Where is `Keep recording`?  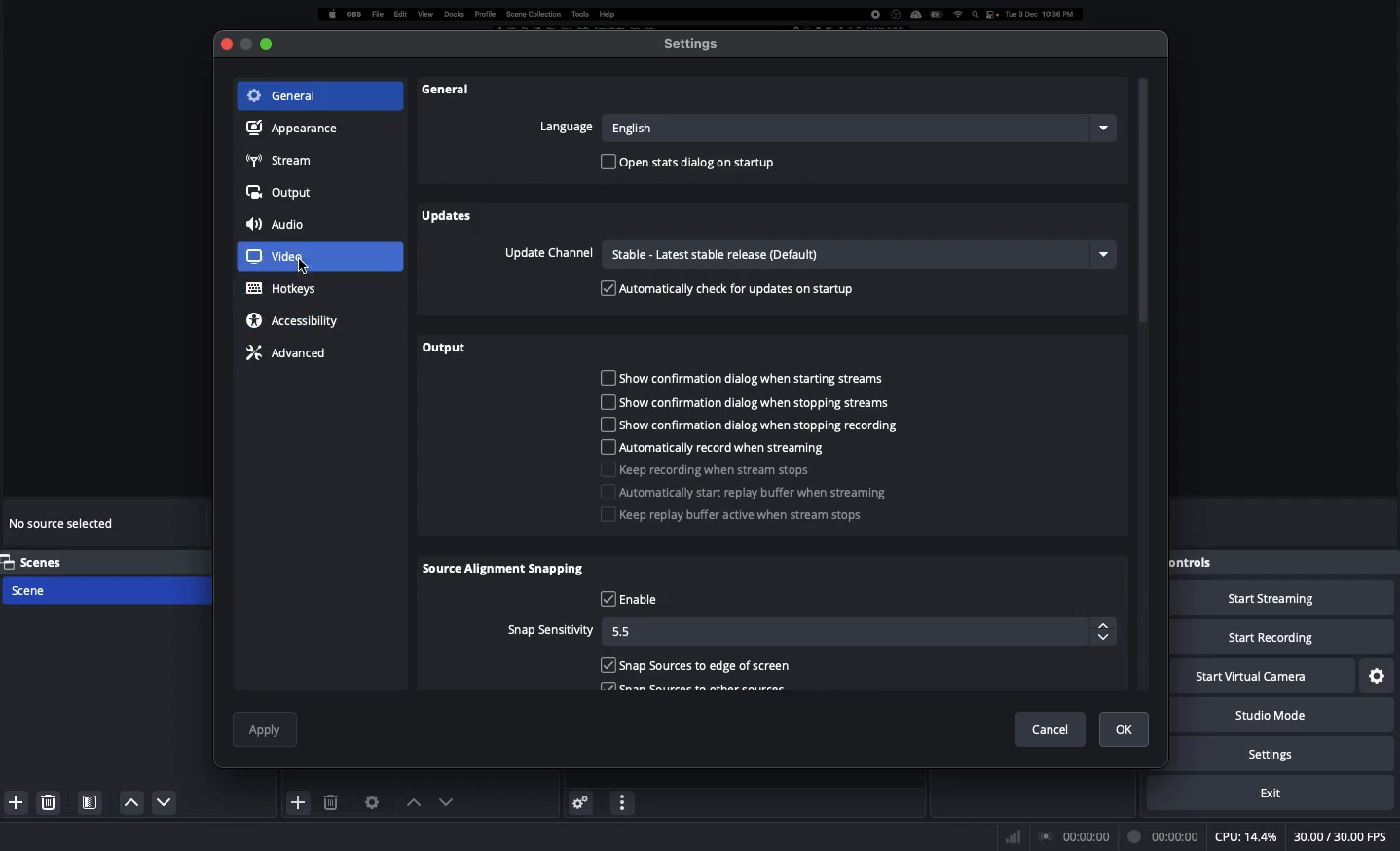 Keep recording is located at coordinates (707, 470).